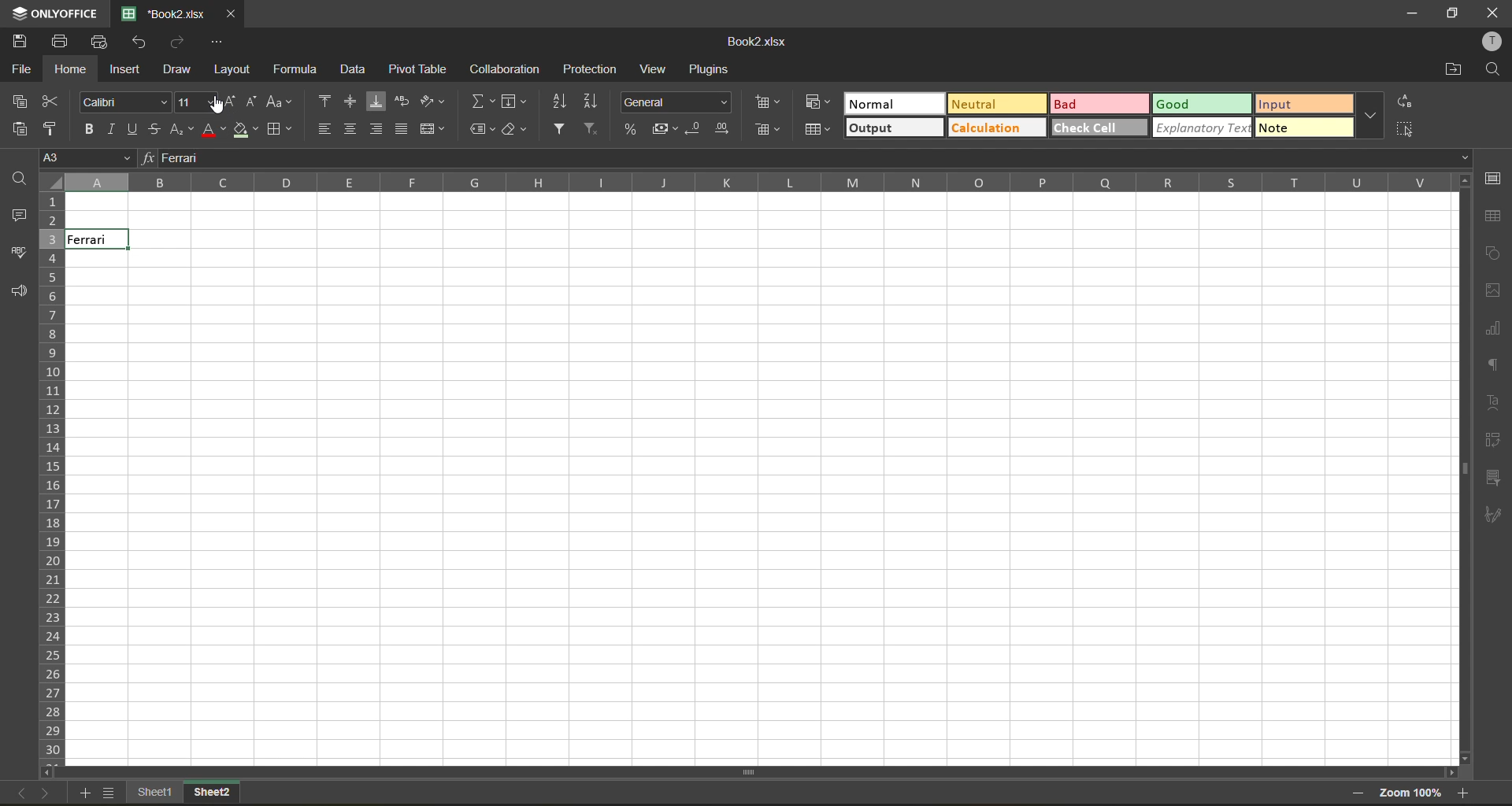 Image resolution: width=1512 pixels, height=806 pixels. What do you see at coordinates (95, 239) in the screenshot?
I see `Ferrari` at bounding box center [95, 239].